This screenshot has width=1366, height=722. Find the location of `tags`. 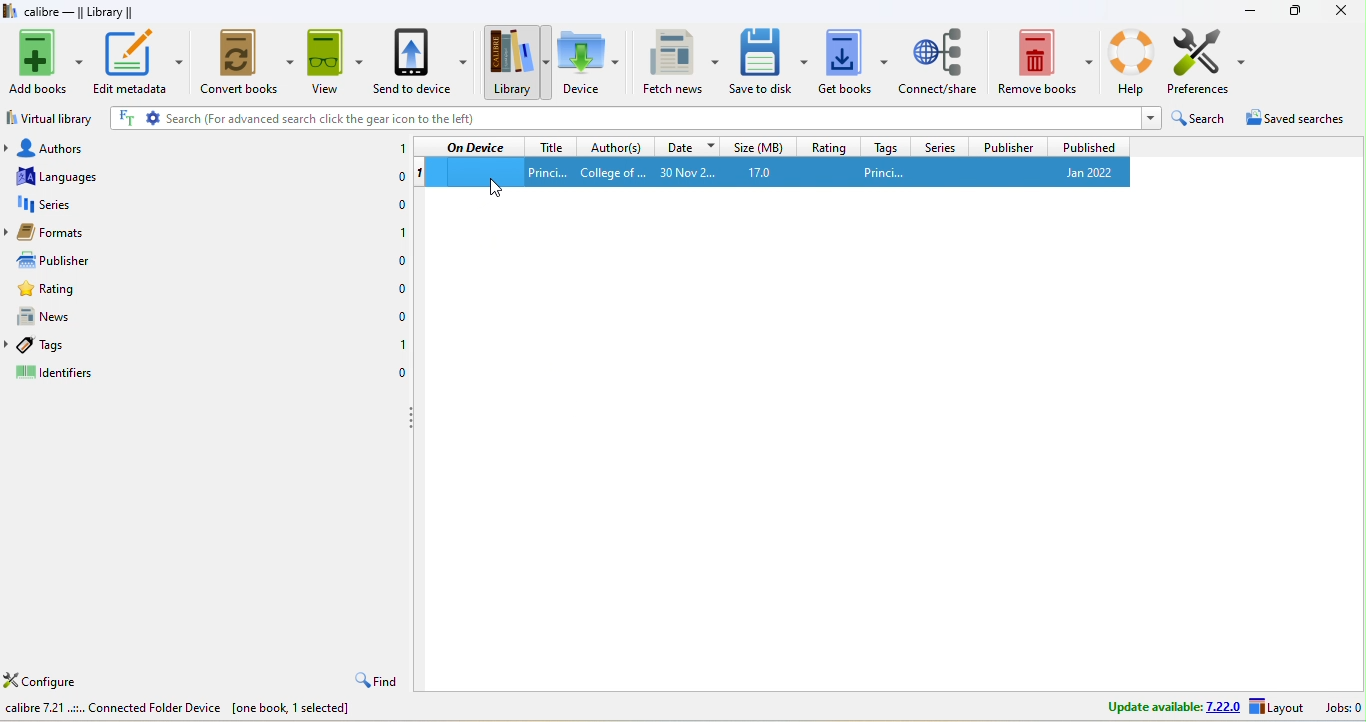

tags is located at coordinates (63, 343).